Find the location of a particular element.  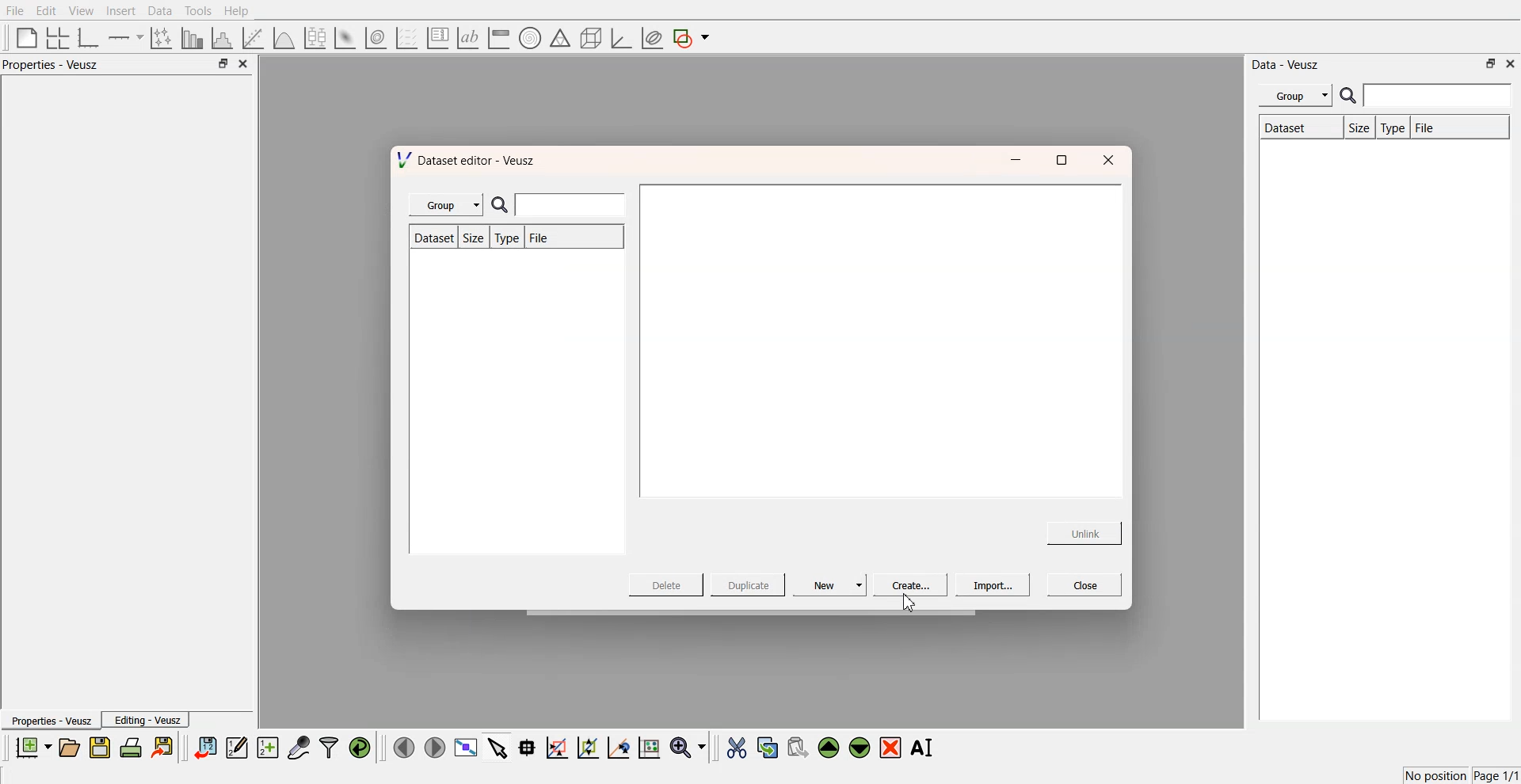

plot a 2d datasets as image is located at coordinates (344, 37).